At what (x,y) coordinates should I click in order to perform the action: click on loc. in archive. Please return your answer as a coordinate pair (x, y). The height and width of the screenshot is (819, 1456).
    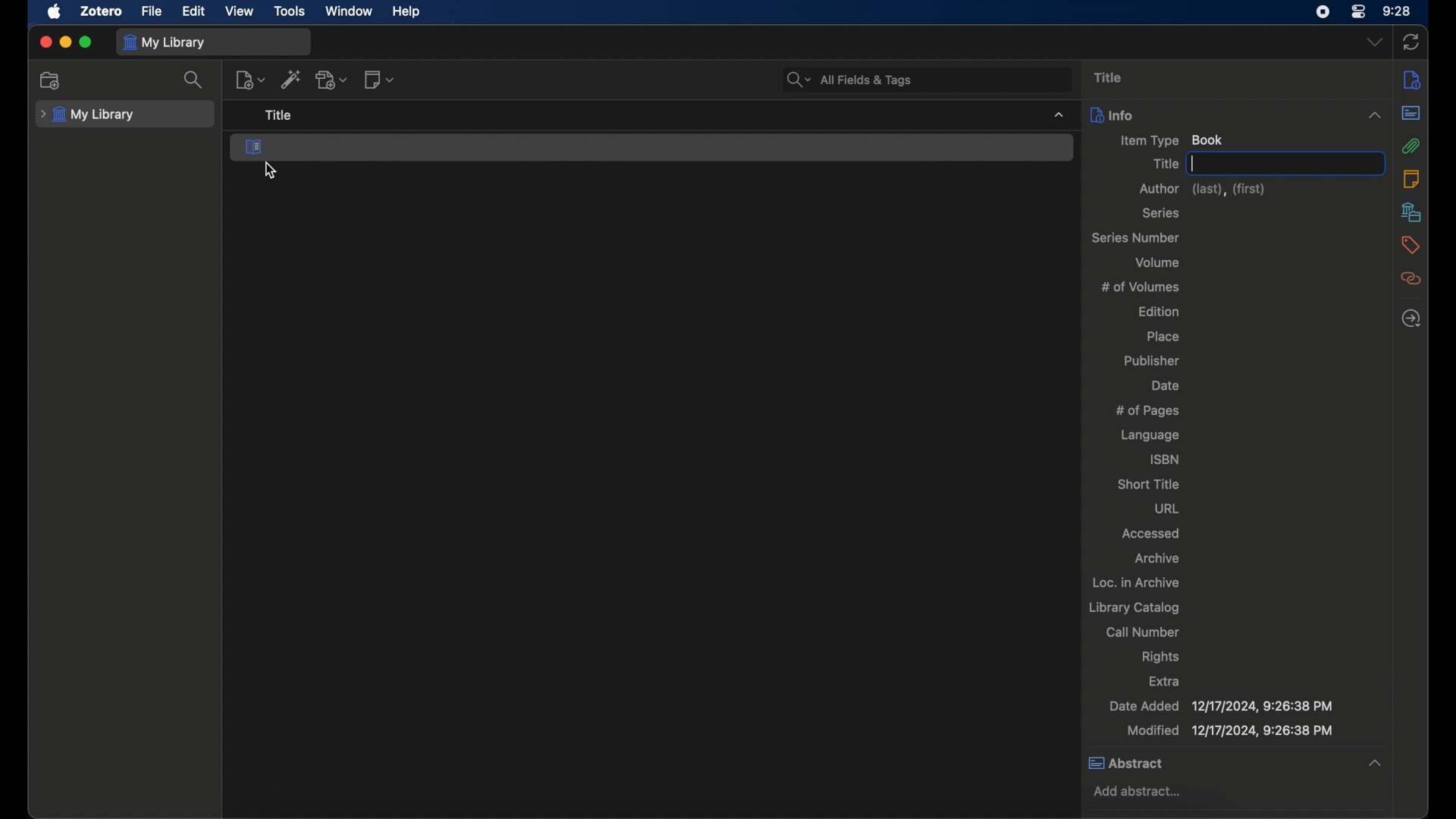
    Looking at the image, I should click on (1136, 582).